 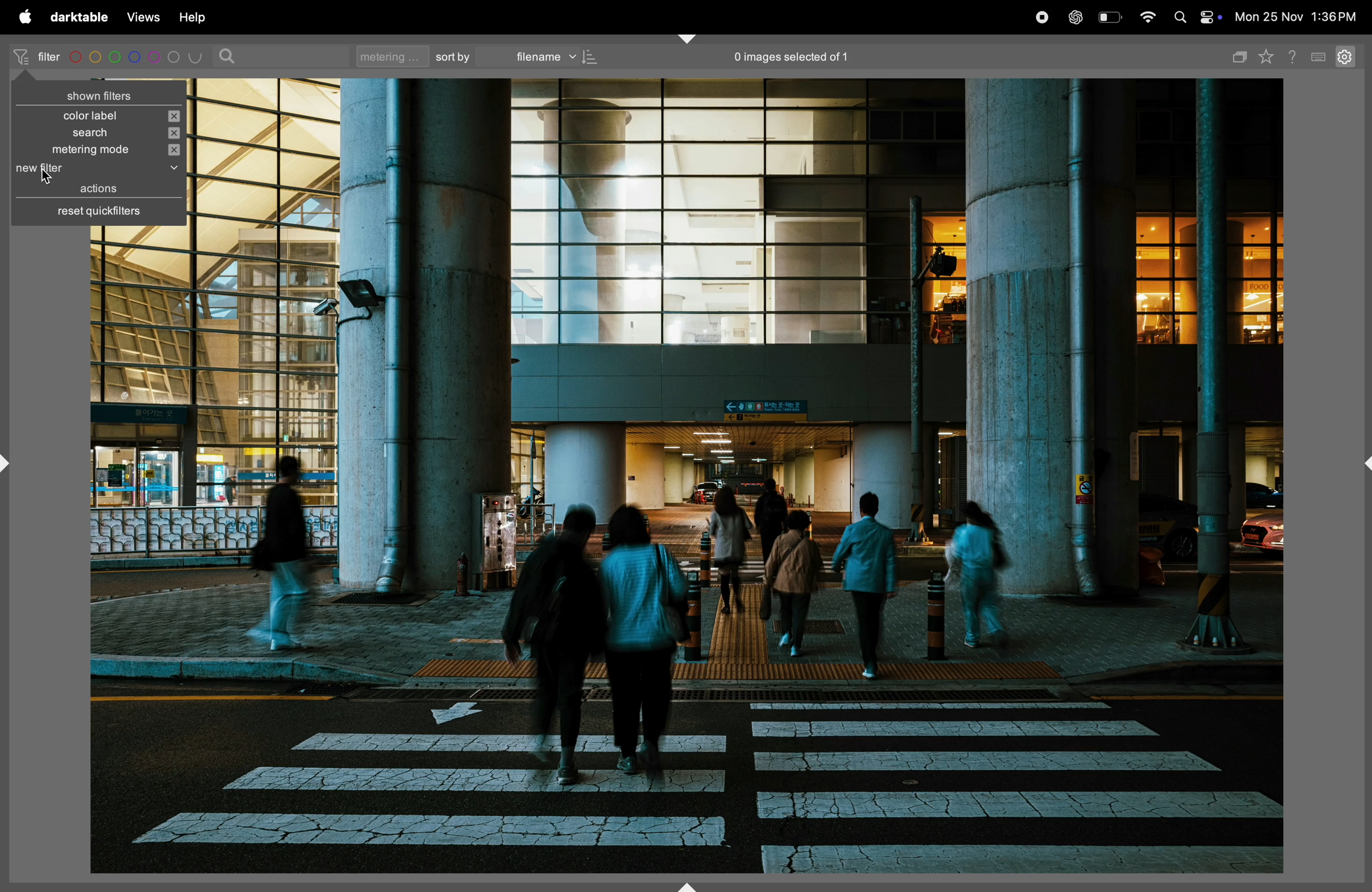 What do you see at coordinates (1363, 464) in the screenshot?
I see `shift+ctrl+r` at bounding box center [1363, 464].